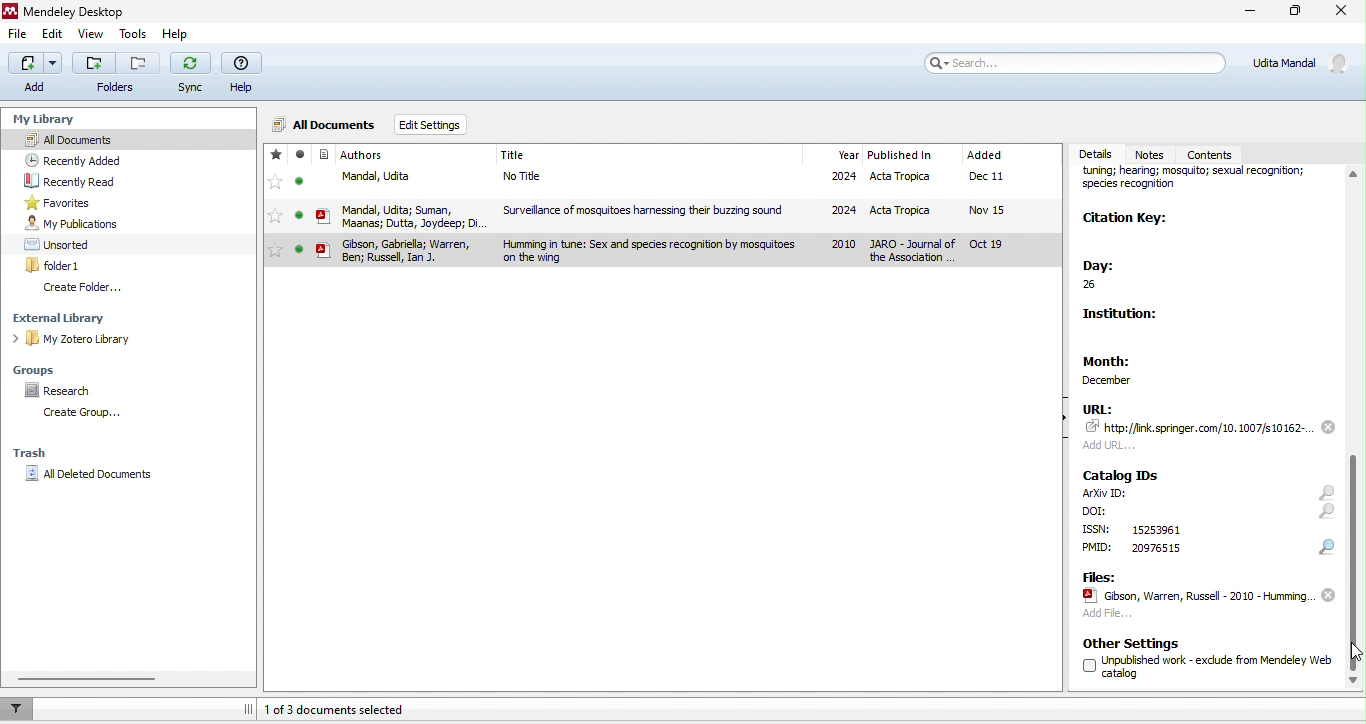  Describe the element at coordinates (324, 187) in the screenshot. I see `icon` at that location.